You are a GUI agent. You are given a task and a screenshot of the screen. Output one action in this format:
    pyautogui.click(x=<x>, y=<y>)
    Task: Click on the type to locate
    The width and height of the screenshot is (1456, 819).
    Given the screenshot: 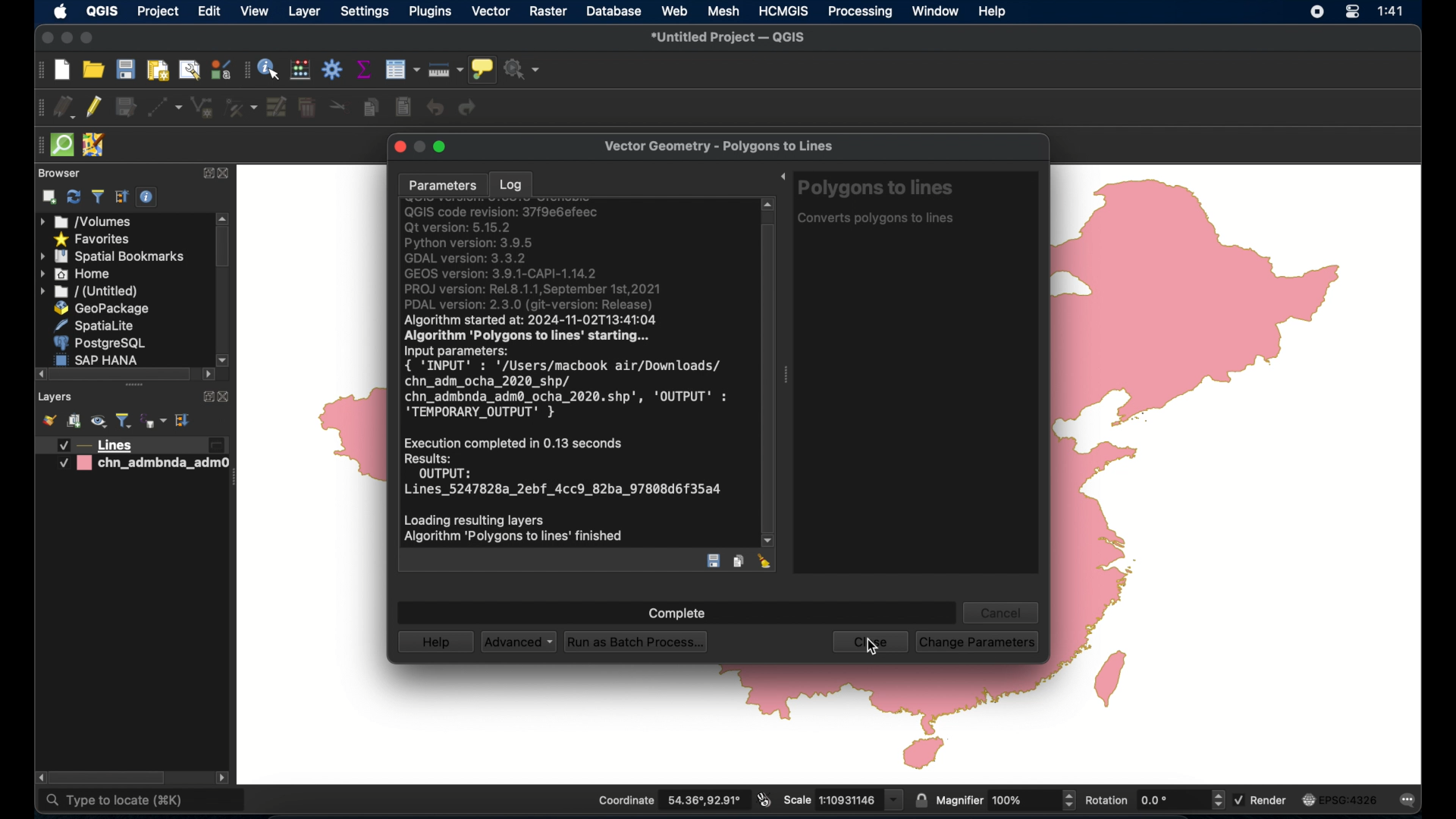 What is the action you would take?
    pyautogui.click(x=114, y=803)
    